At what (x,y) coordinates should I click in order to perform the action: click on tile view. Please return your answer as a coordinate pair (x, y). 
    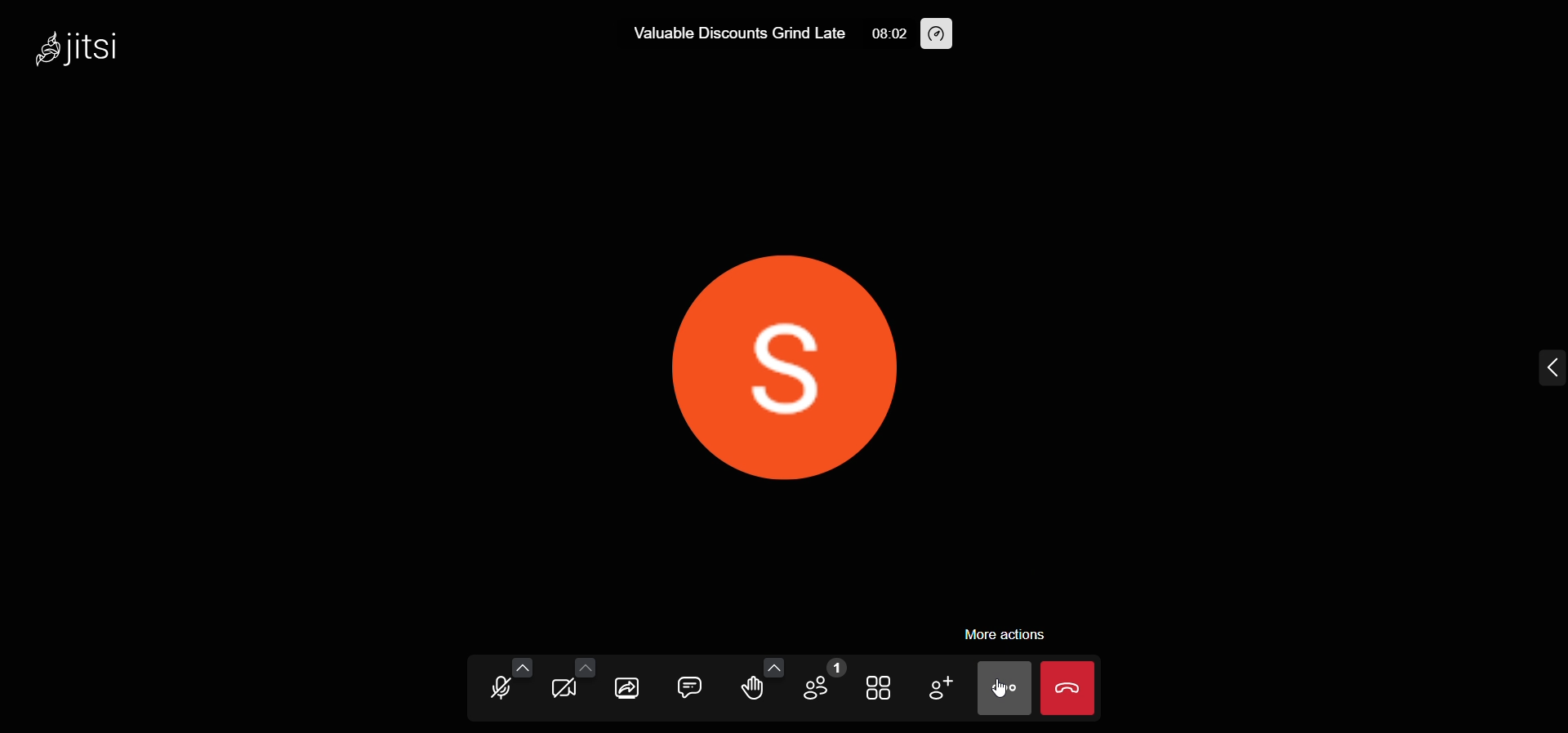
    Looking at the image, I should click on (878, 688).